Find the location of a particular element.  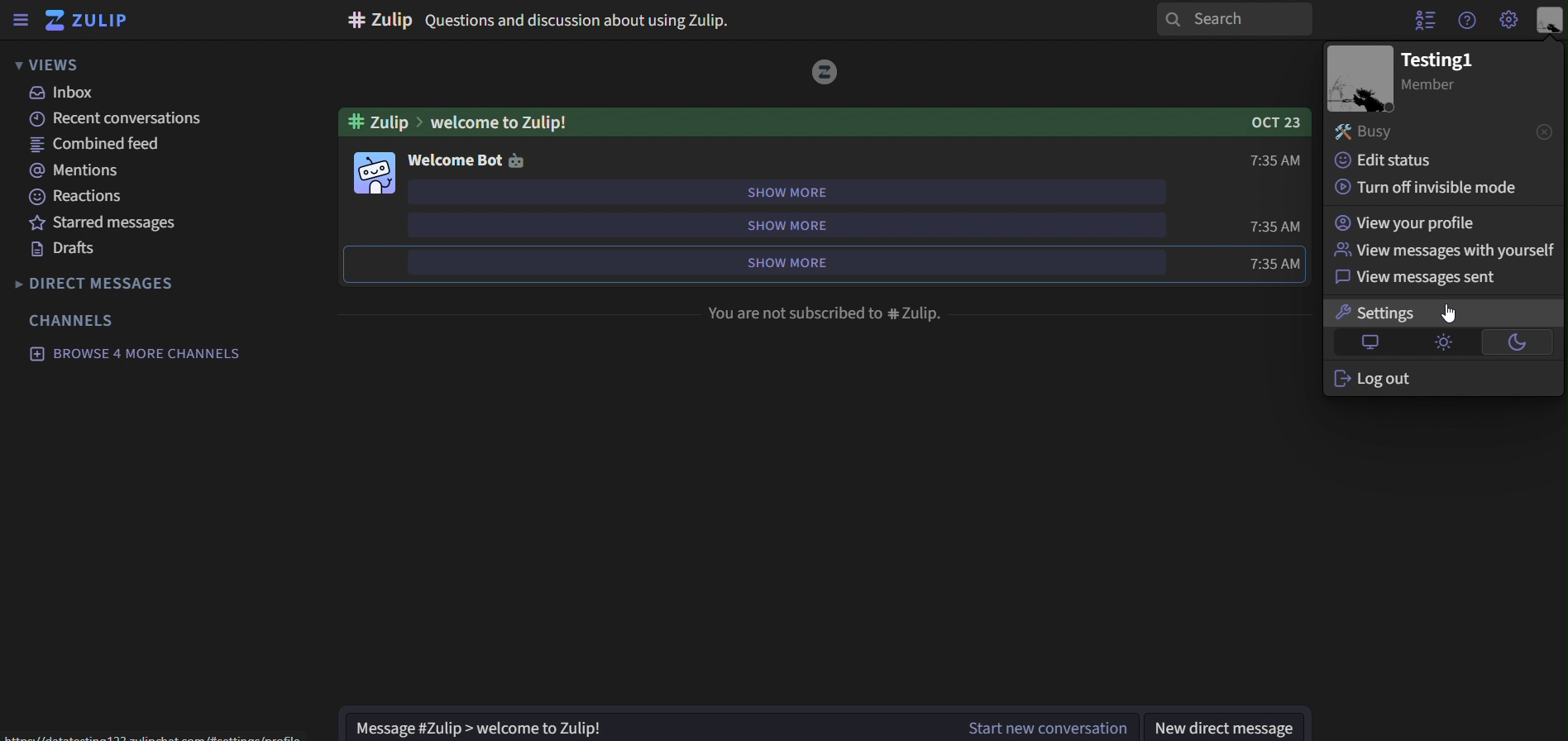

new direct message is located at coordinates (1222, 725).